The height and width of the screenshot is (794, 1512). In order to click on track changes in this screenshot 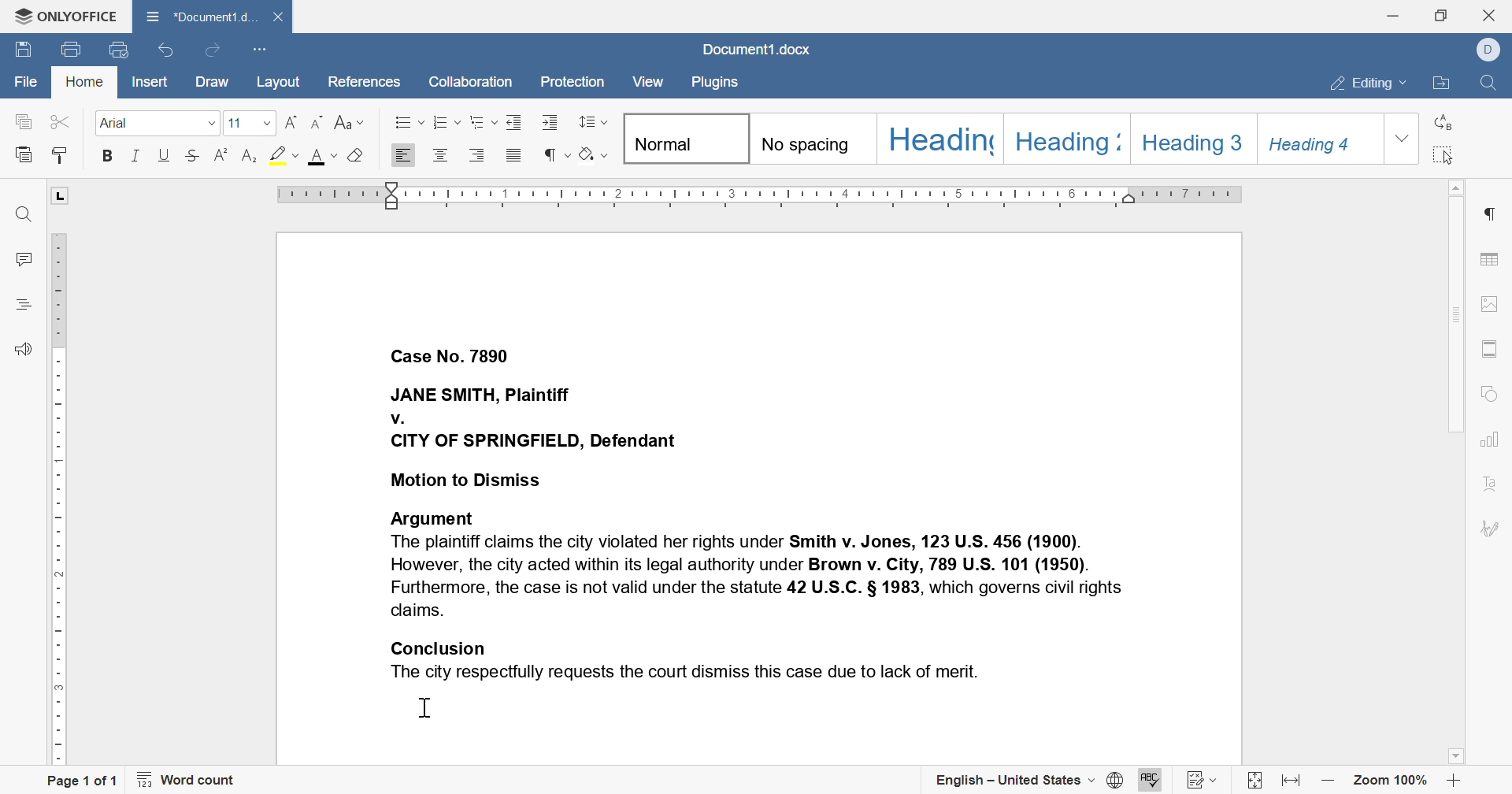, I will do `click(1203, 781)`.